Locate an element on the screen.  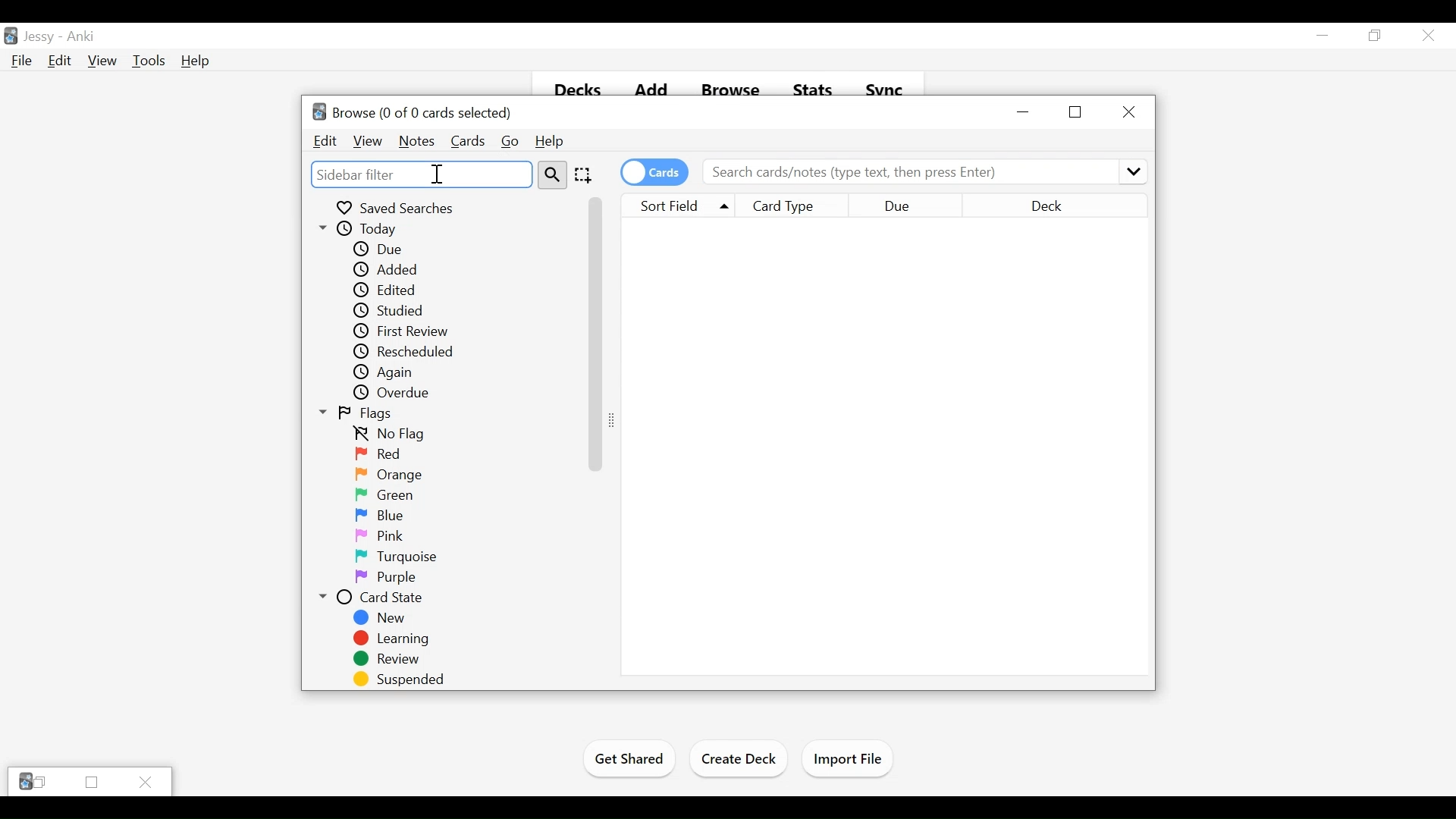
Search Tool is located at coordinates (553, 174).